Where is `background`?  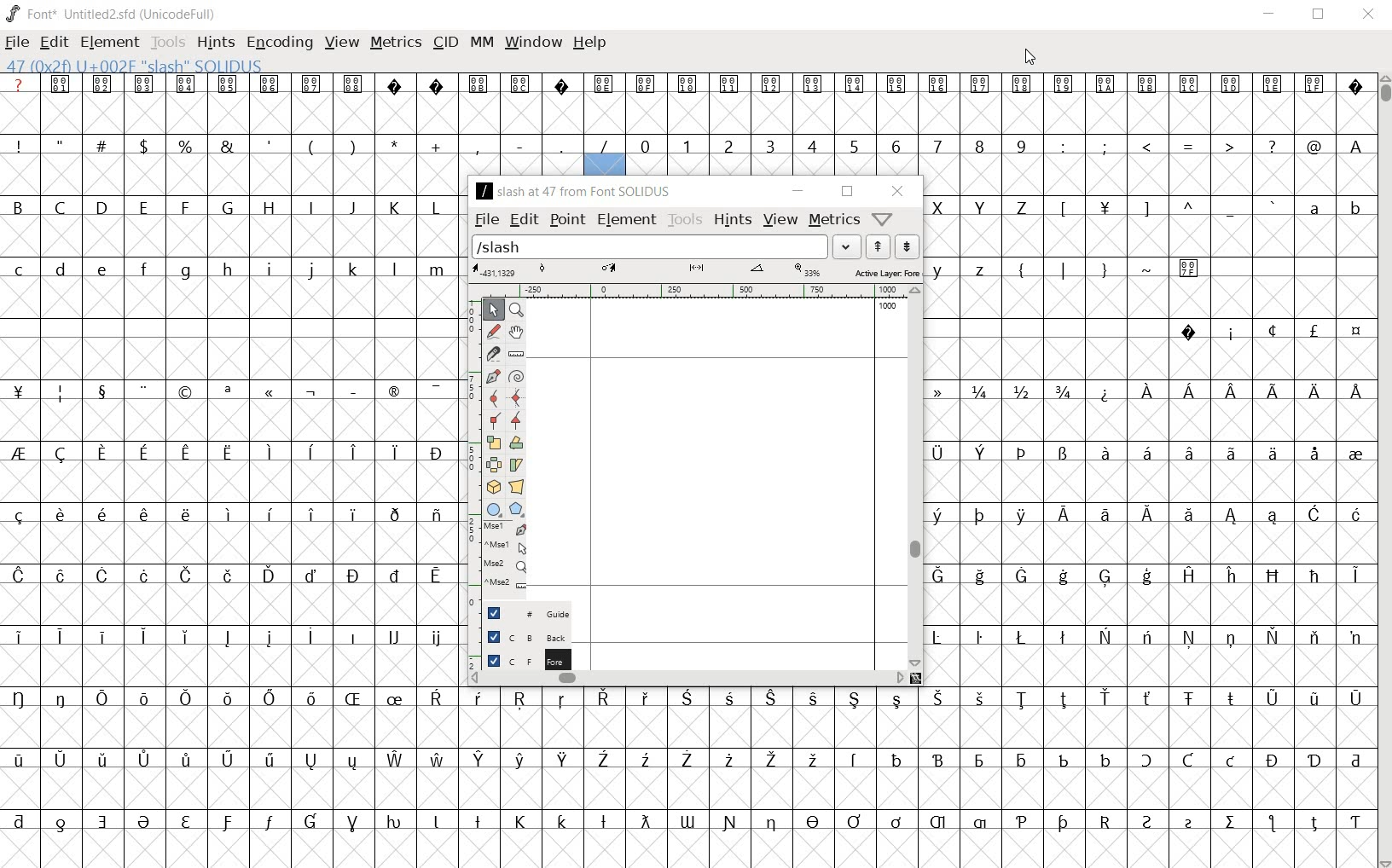
background is located at coordinates (520, 635).